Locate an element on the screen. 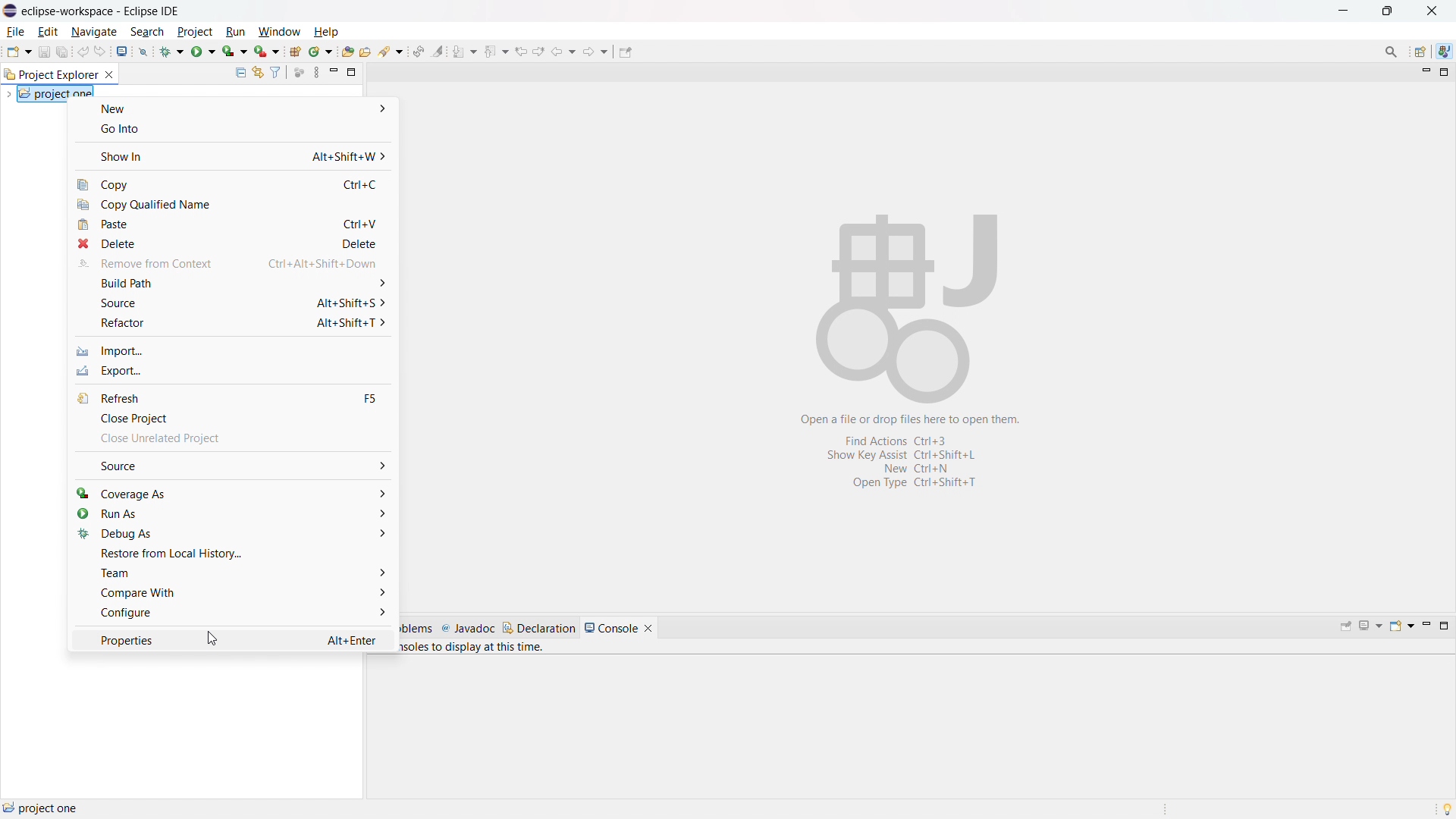 The image size is (1456, 819). select and deselect filters is located at coordinates (275, 73).